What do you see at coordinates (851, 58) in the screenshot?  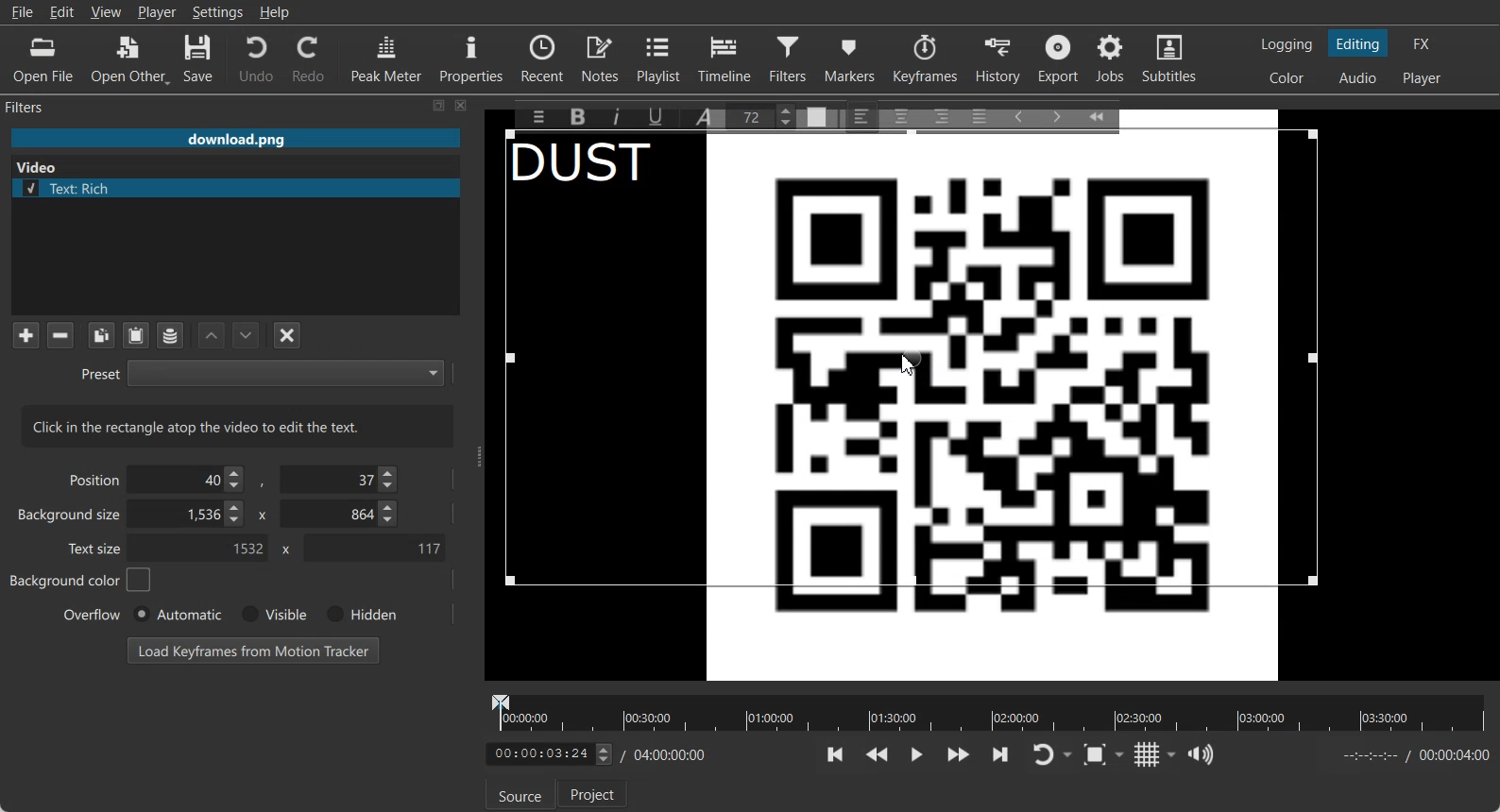 I see `Markers` at bounding box center [851, 58].